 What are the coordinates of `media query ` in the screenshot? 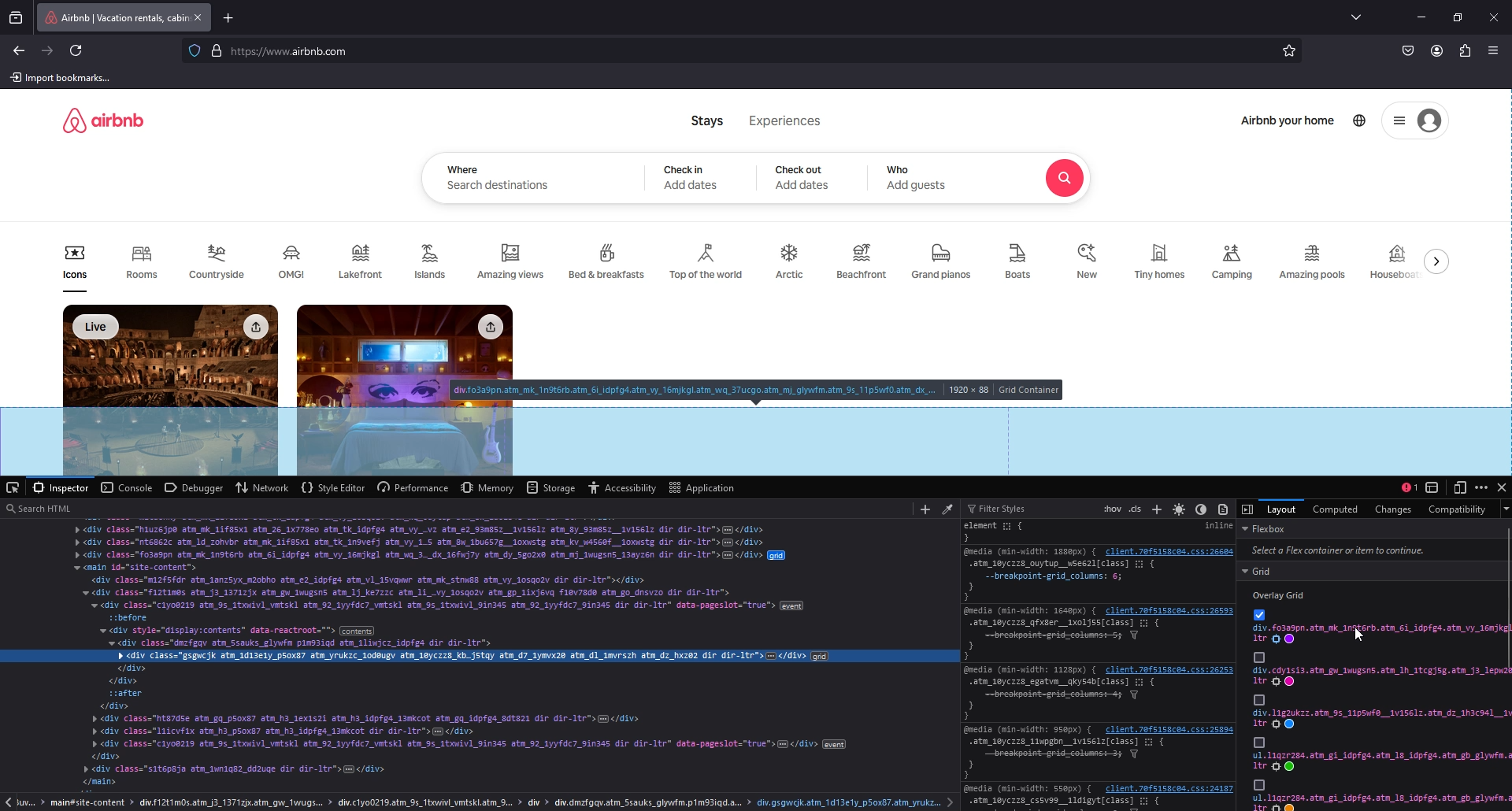 It's located at (1032, 610).